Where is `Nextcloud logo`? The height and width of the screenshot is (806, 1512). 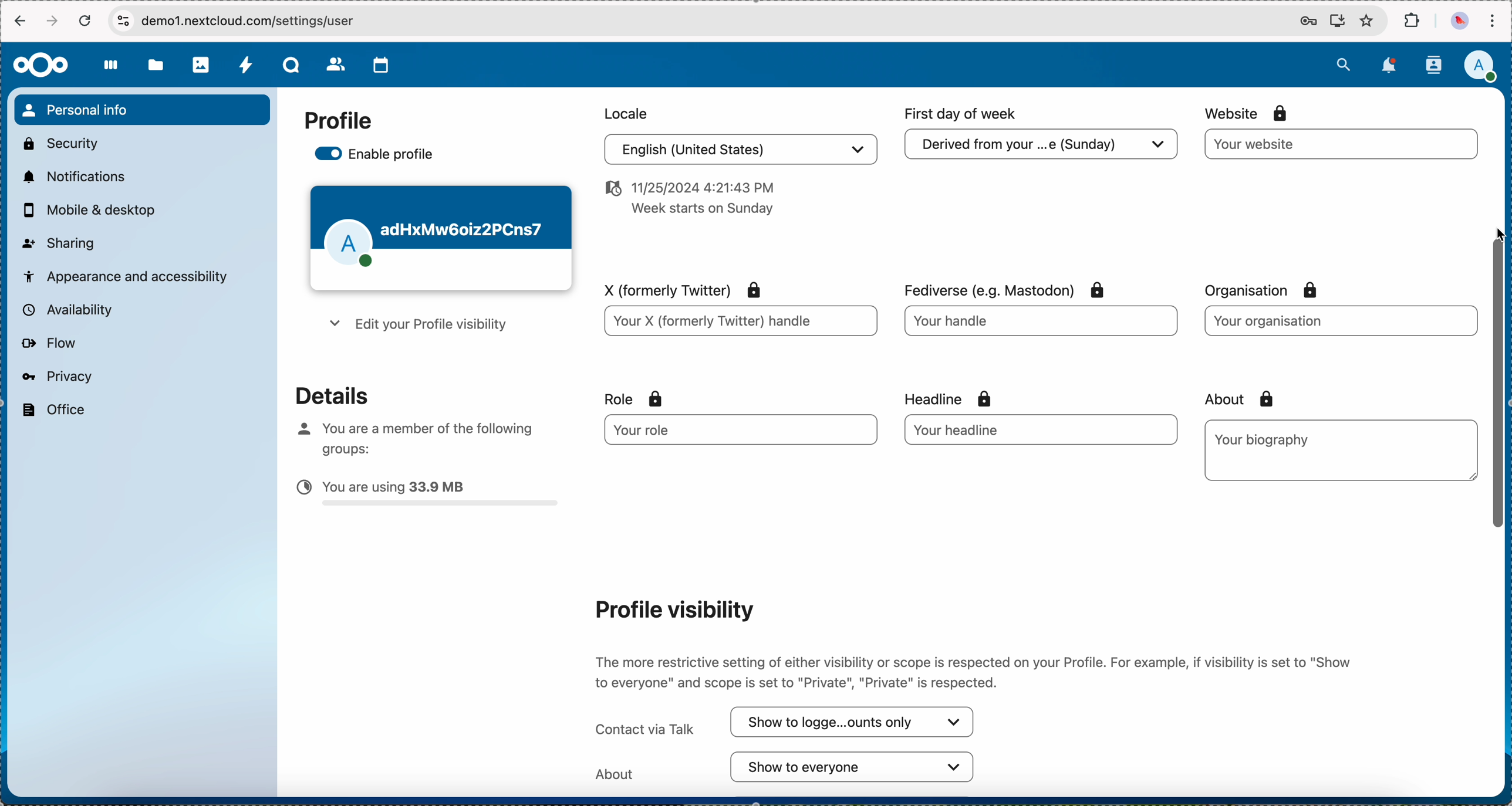
Nextcloud logo is located at coordinates (39, 65).